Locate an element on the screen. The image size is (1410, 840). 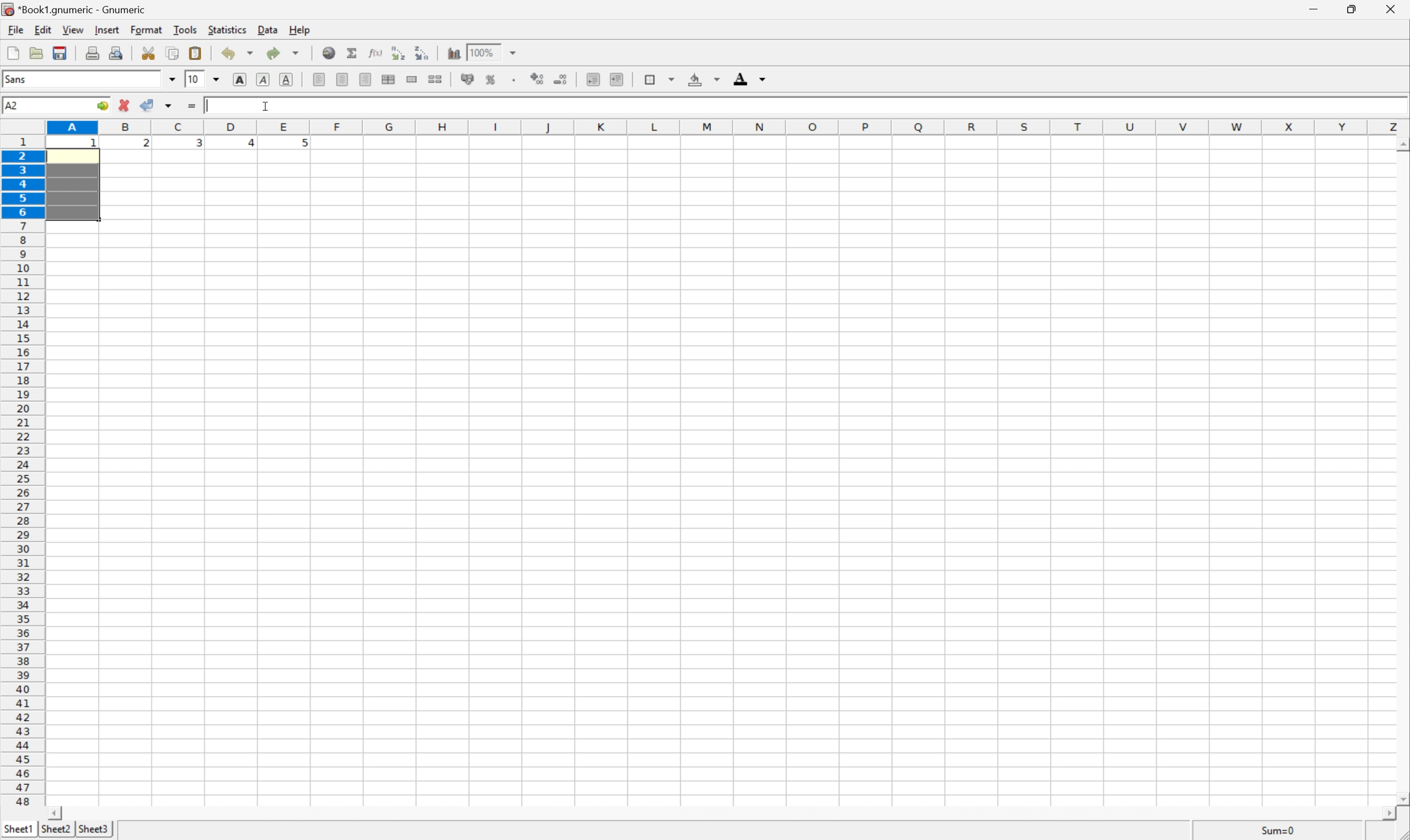
redo is located at coordinates (285, 53).